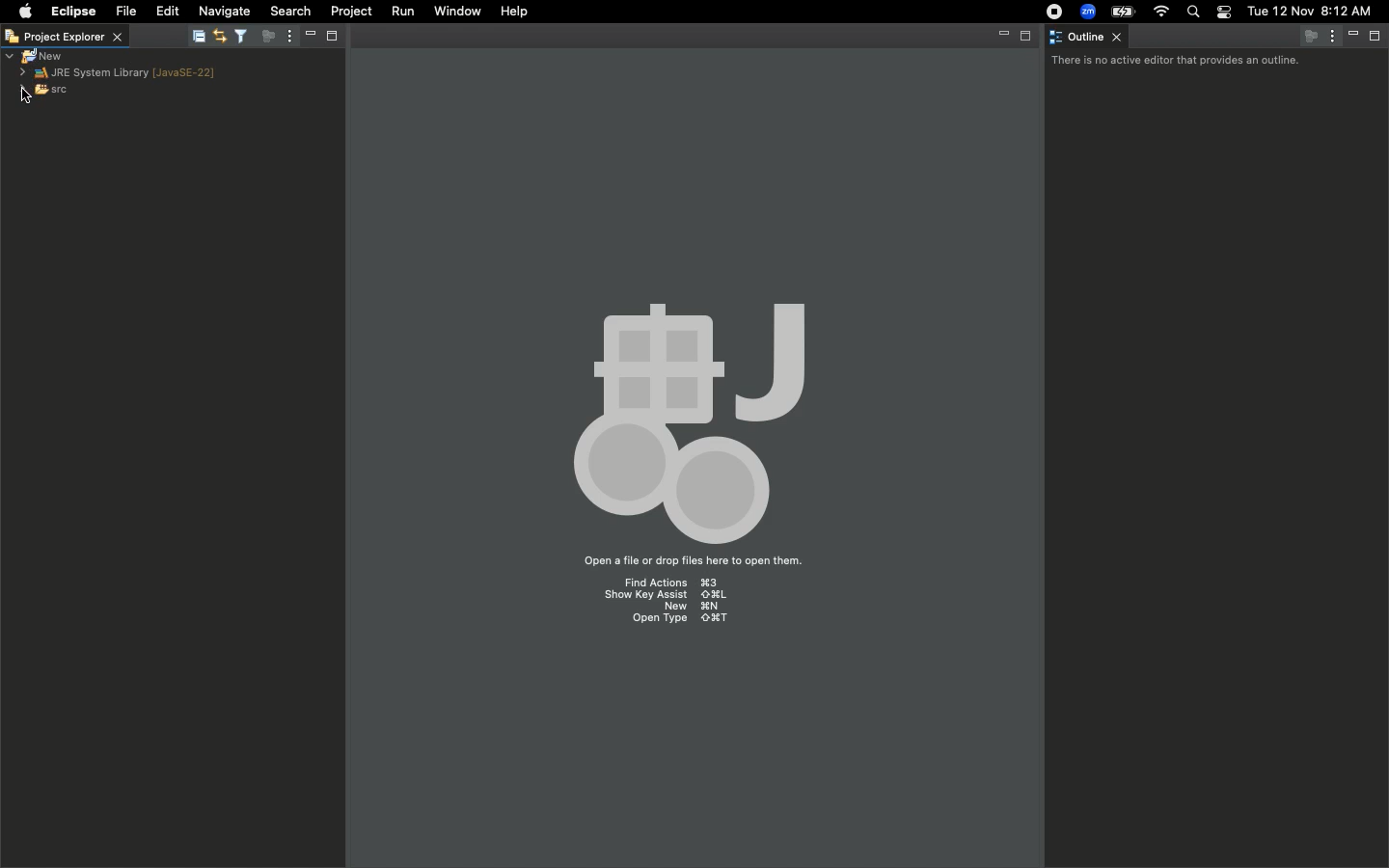 Image resolution: width=1389 pixels, height=868 pixels. I want to click on Notification, so click(1223, 13).